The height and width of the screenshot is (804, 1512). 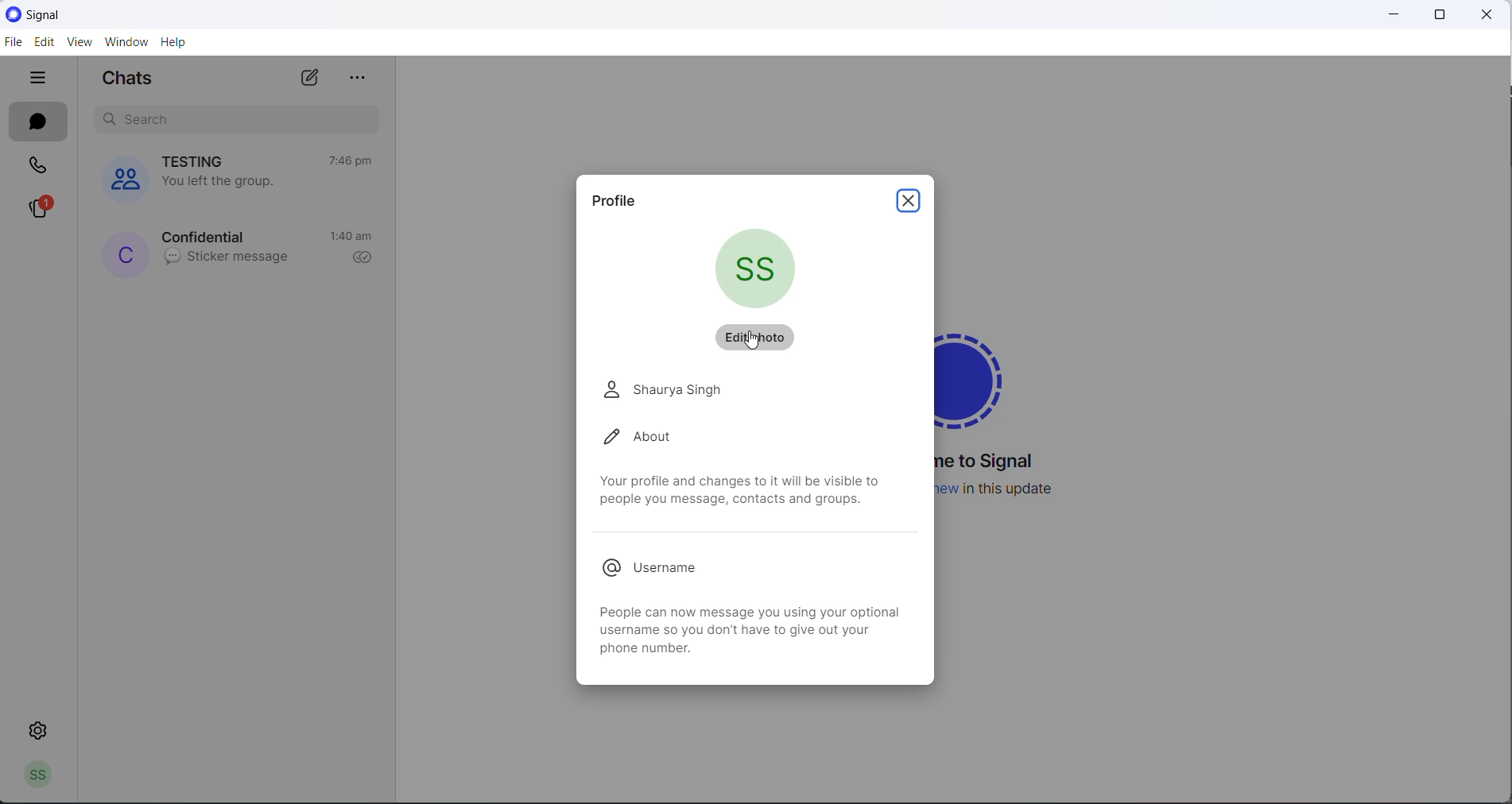 I want to click on VIEW, so click(x=77, y=44).